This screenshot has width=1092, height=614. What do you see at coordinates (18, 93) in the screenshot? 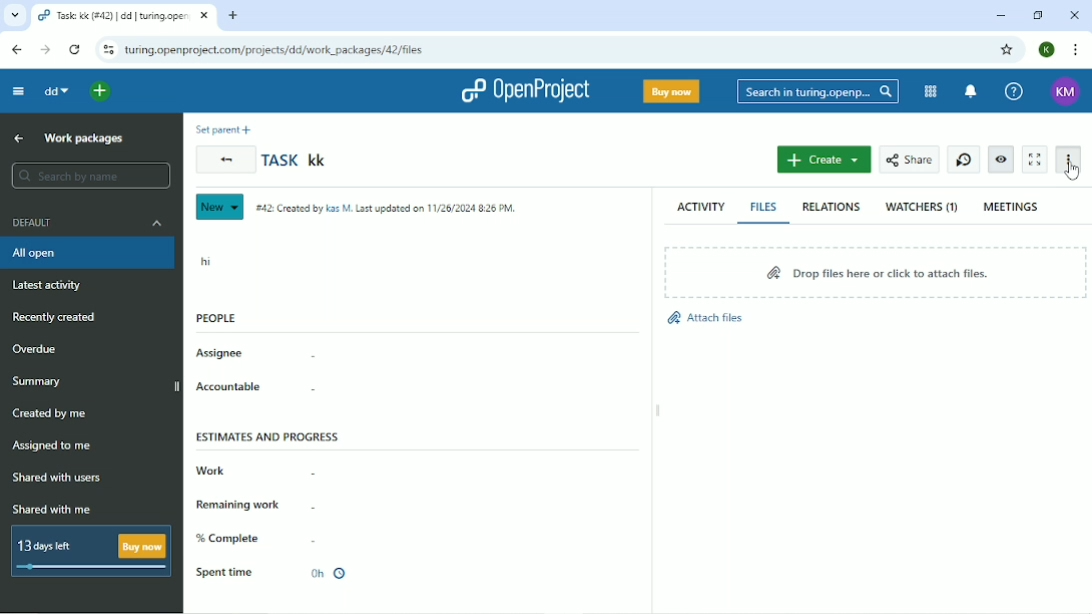
I see `Collapse project menu` at bounding box center [18, 93].